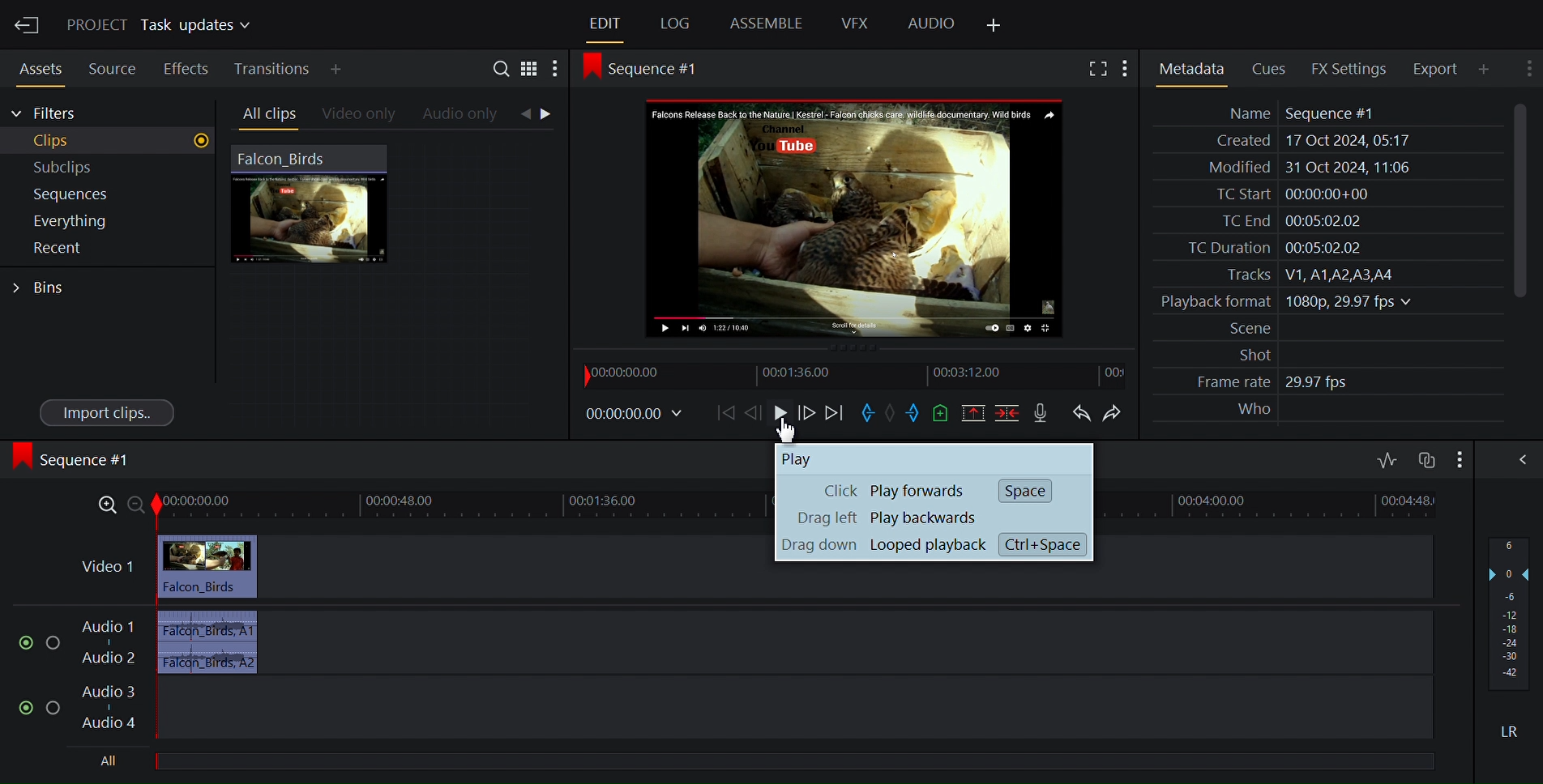 The image size is (1543, 784). What do you see at coordinates (138, 505) in the screenshot?
I see `Zoom out` at bounding box center [138, 505].